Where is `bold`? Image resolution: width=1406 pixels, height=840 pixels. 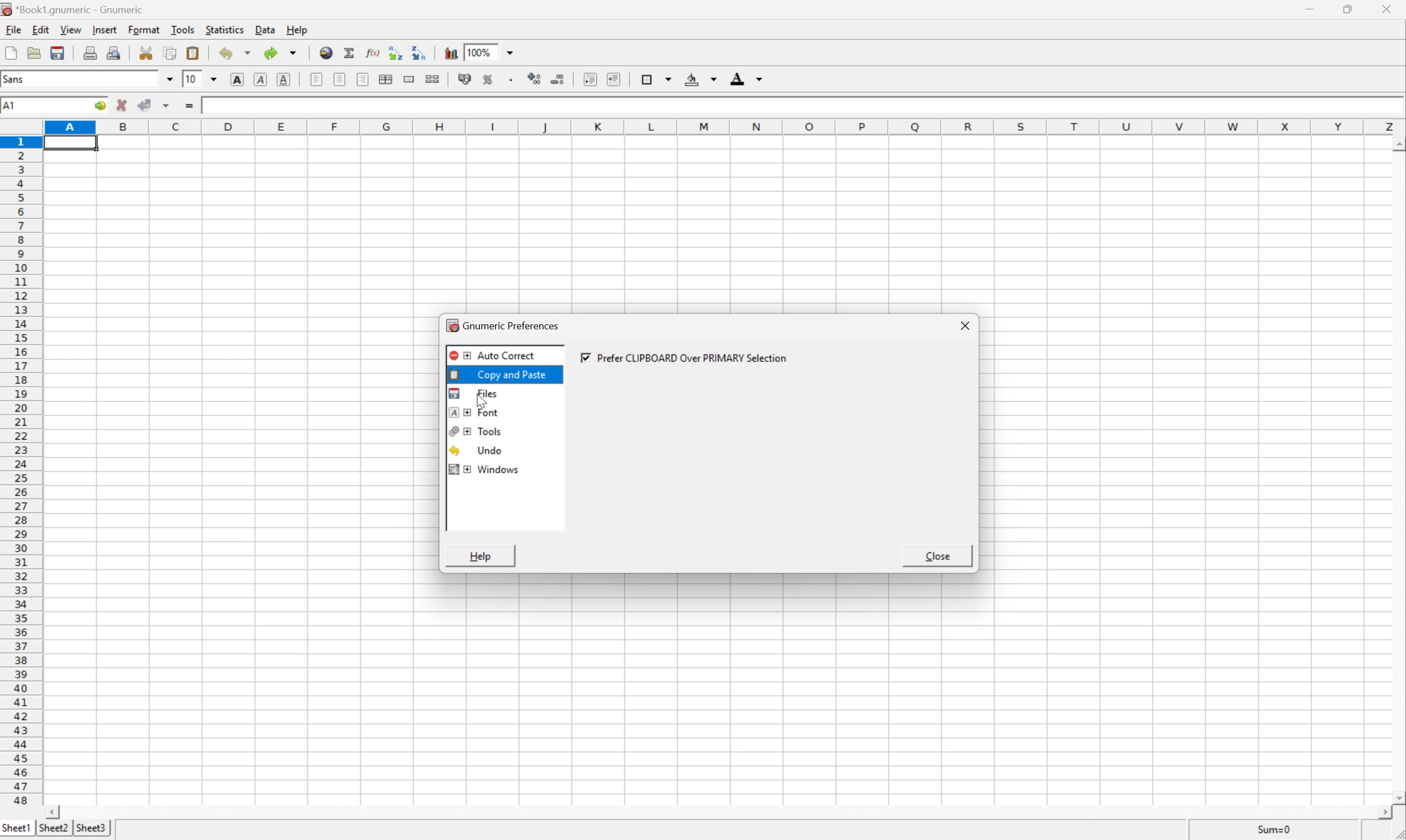 bold is located at coordinates (238, 78).